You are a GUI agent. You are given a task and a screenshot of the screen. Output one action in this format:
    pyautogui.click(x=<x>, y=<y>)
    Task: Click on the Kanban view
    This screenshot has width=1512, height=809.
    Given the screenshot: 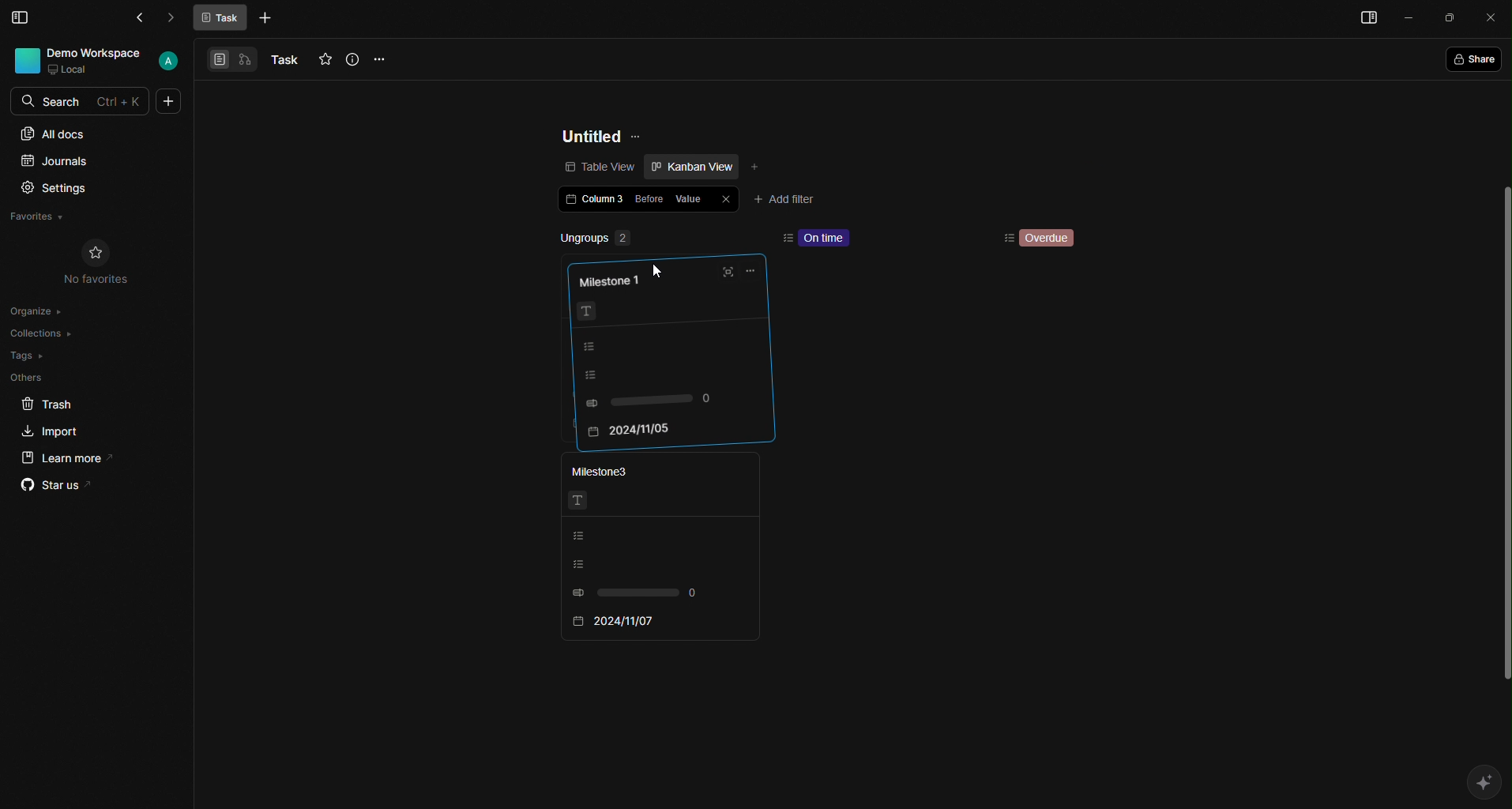 What is the action you would take?
    pyautogui.click(x=690, y=166)
    